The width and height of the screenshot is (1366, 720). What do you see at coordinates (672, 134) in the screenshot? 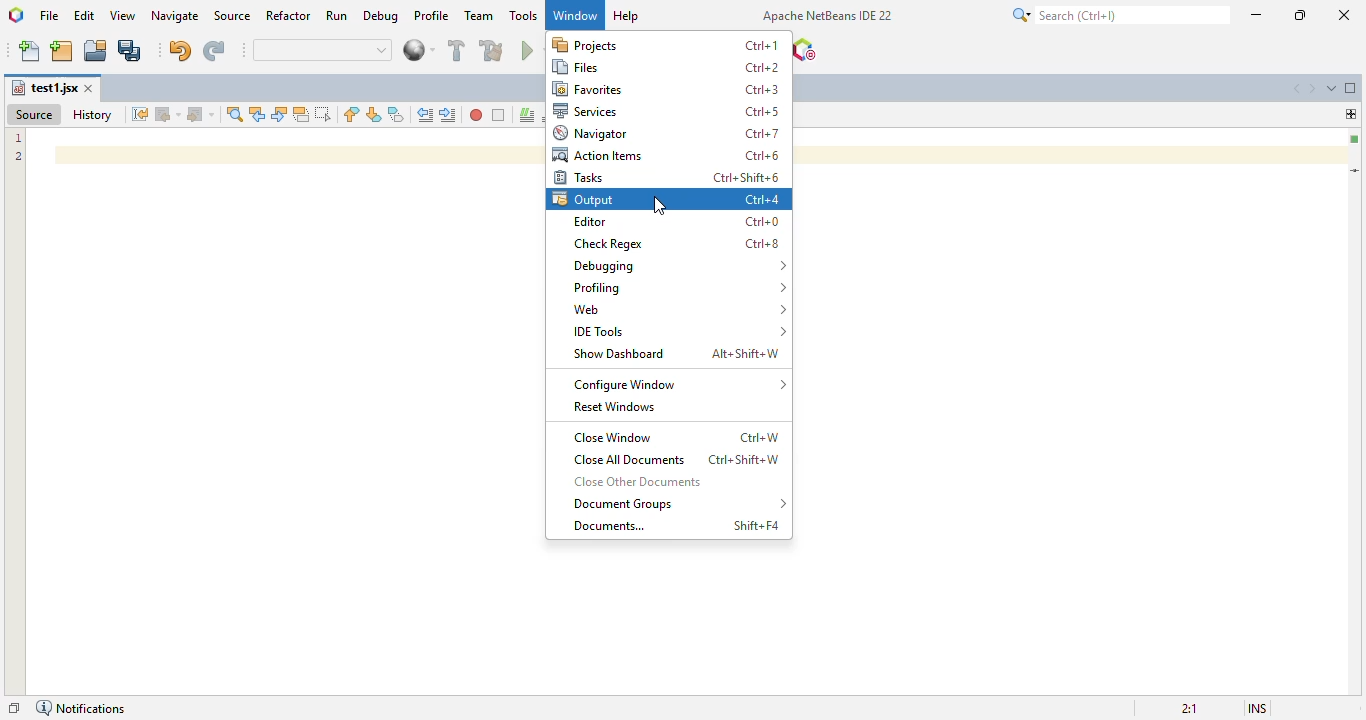
I see `Navigator Ctrl + 7` at bounding box center [672, 134].